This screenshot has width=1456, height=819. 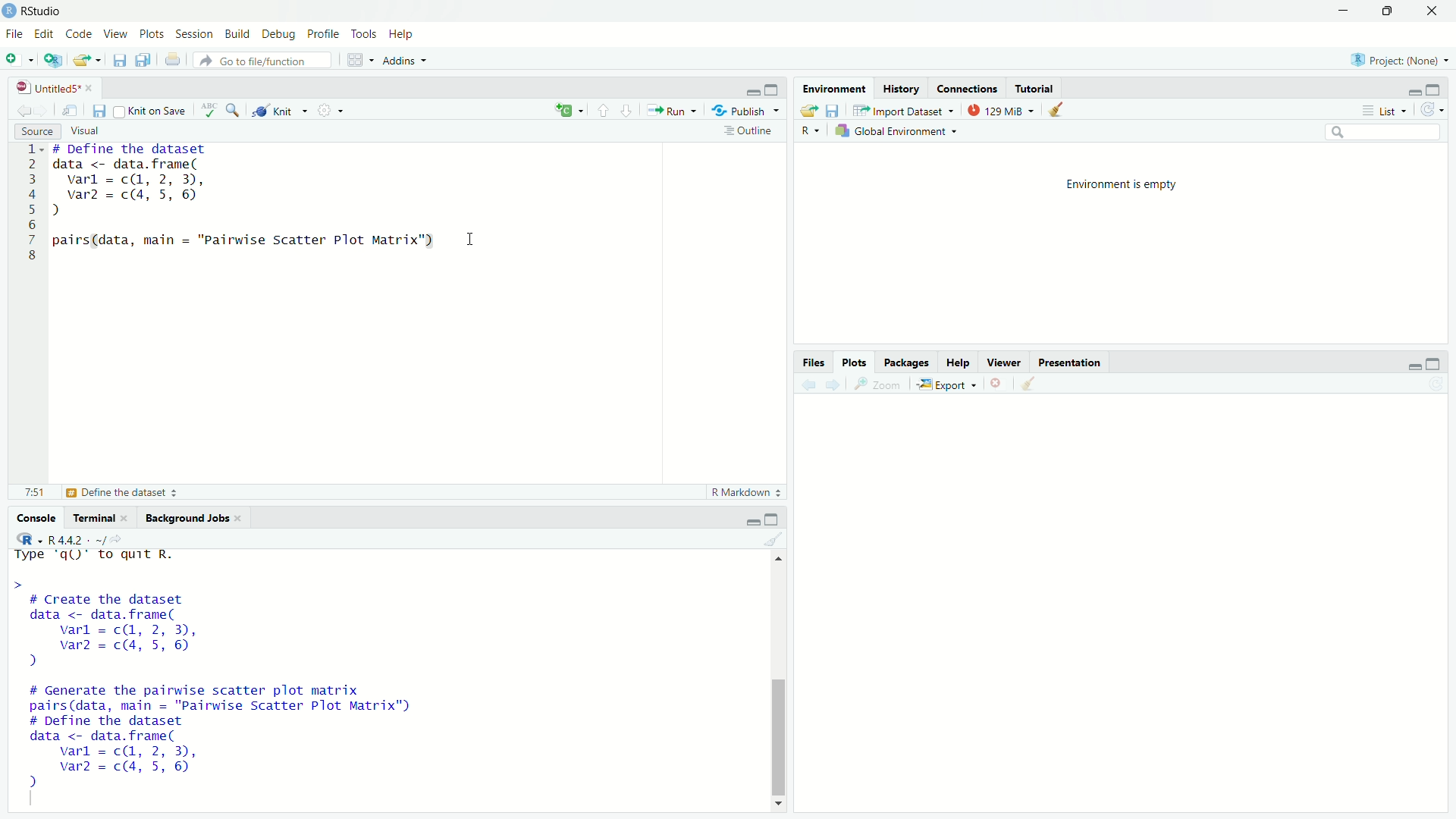 What do you see at coordinates (783, 539) in the screenshot?
I see `Clear console (Ctrl +L)` at bounding box center [783, 539].